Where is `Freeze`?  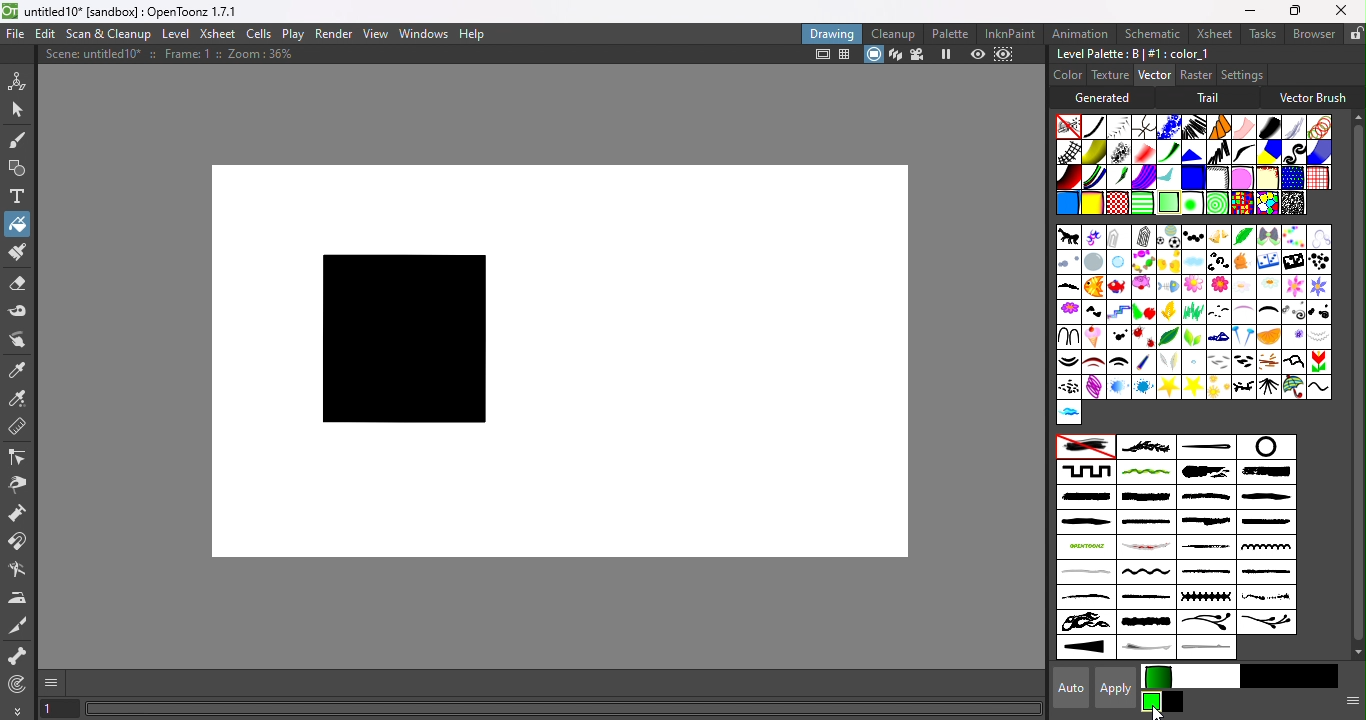
Freeze is located at coordinates (947, 56).